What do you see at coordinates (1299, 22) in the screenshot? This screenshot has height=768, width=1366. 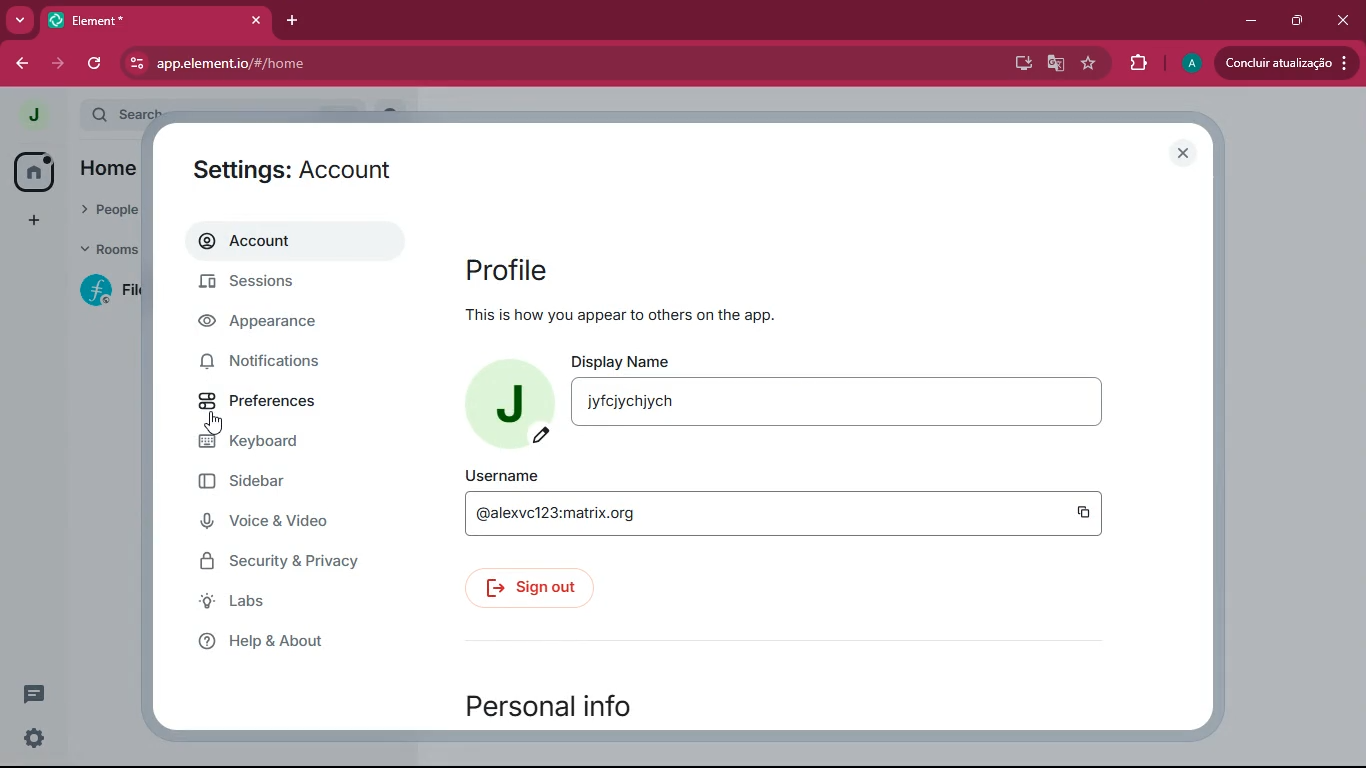 I see `maximize` at bounding box center [1299, 22].